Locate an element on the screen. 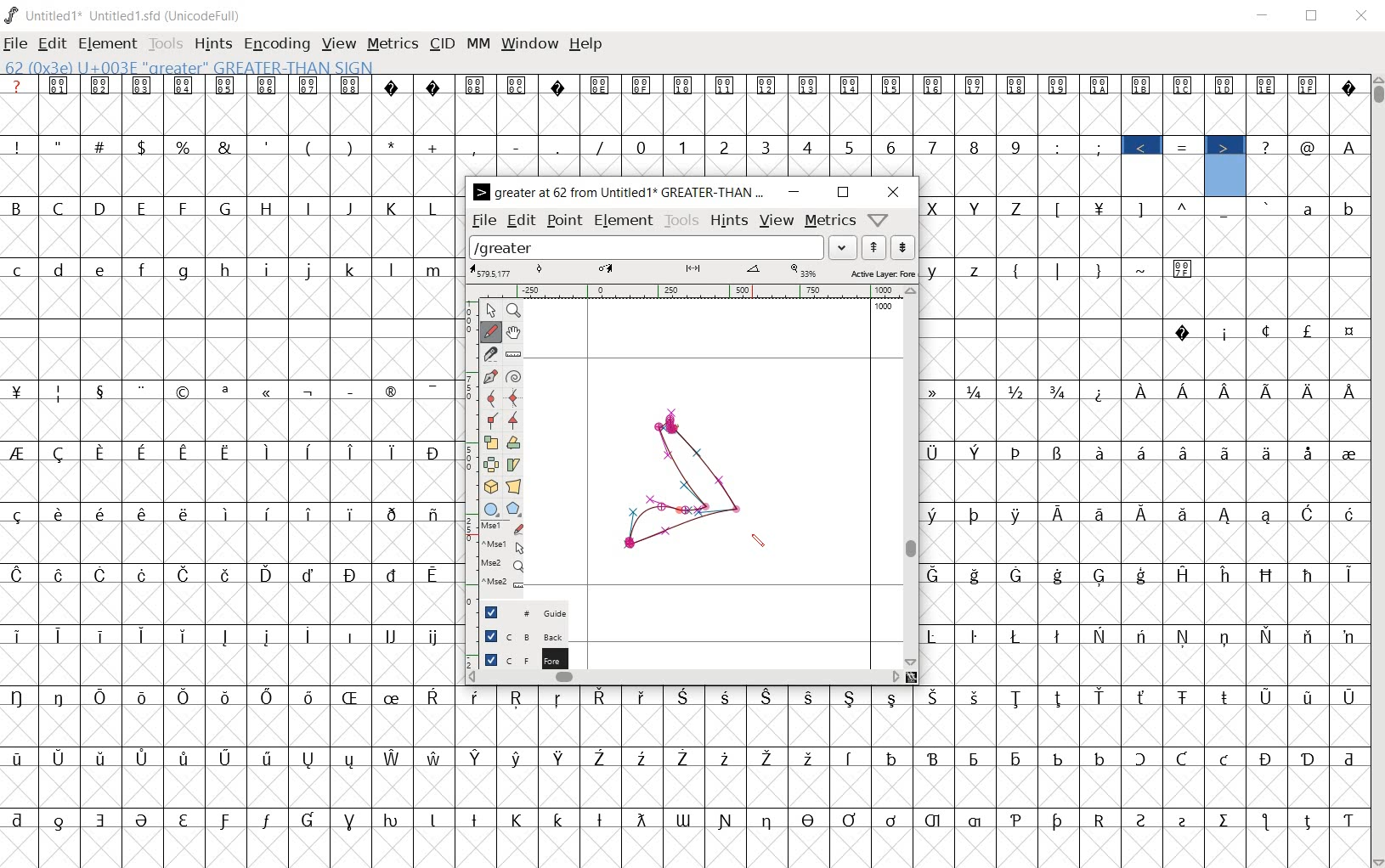 The width and height of the screenshot is (1385, 868). file is located at coordinates (15, 45).